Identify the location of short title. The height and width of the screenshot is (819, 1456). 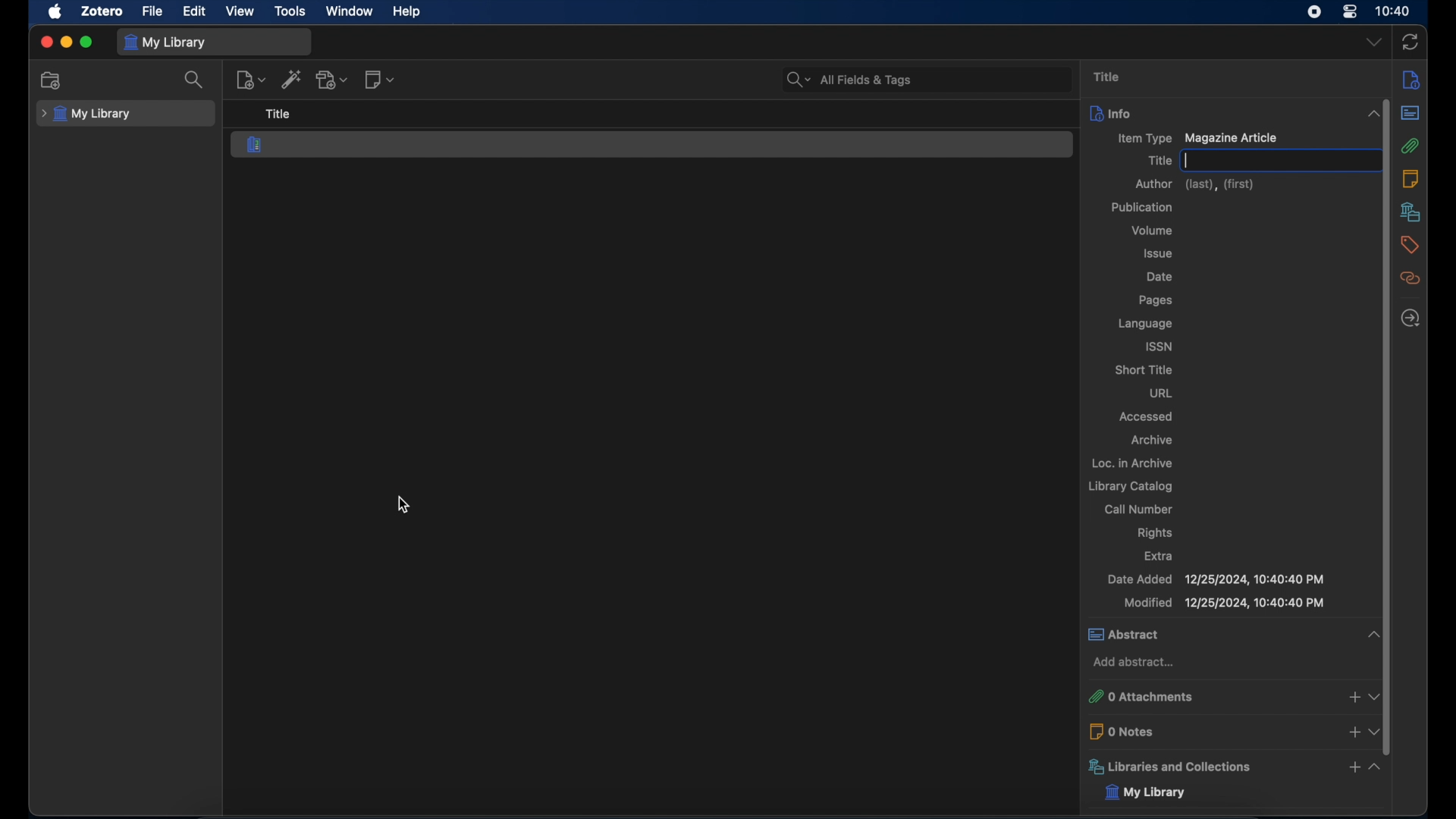
(1143, 370).